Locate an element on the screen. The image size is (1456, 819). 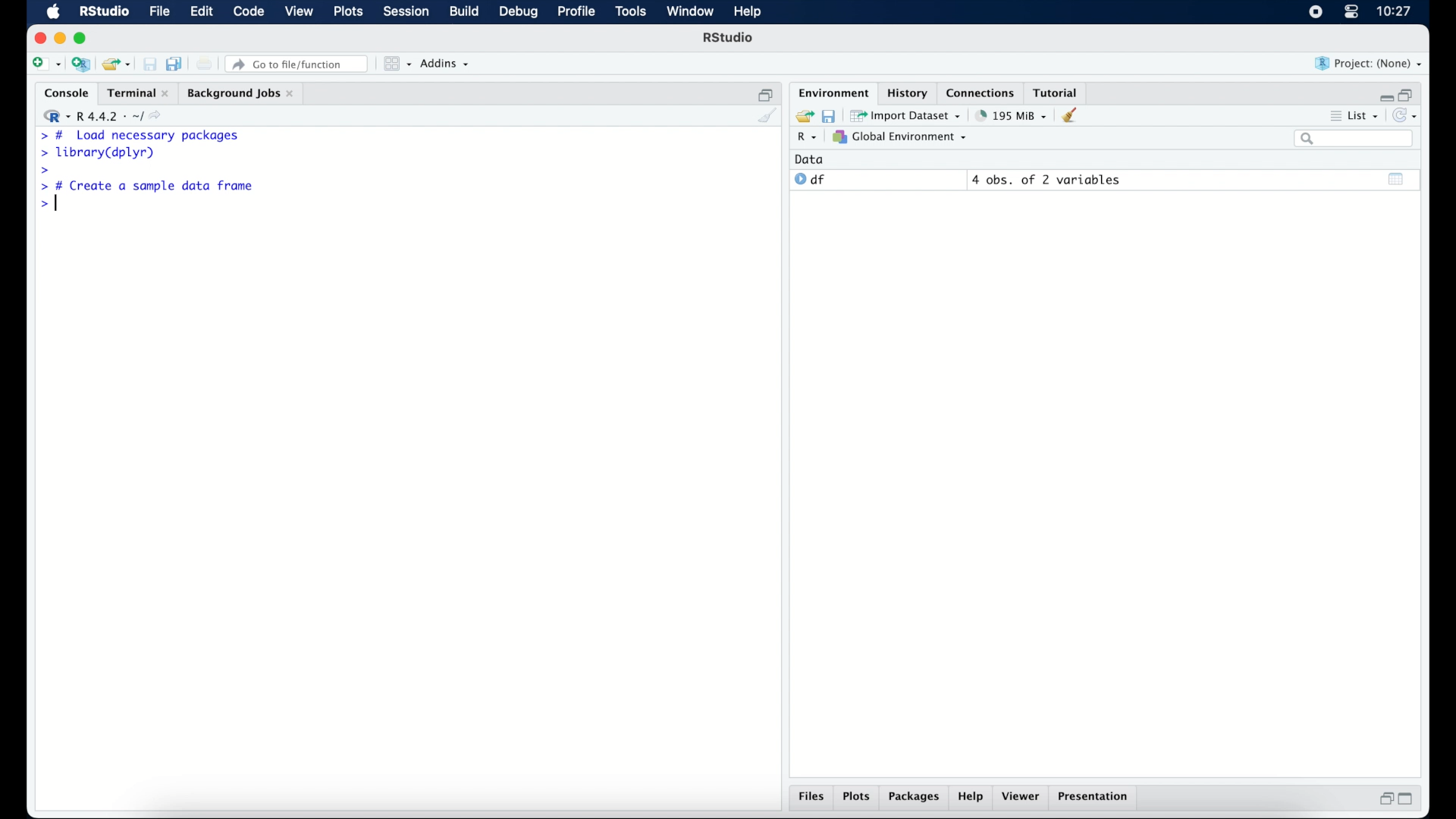
list is located at coordinates (1353, 118).